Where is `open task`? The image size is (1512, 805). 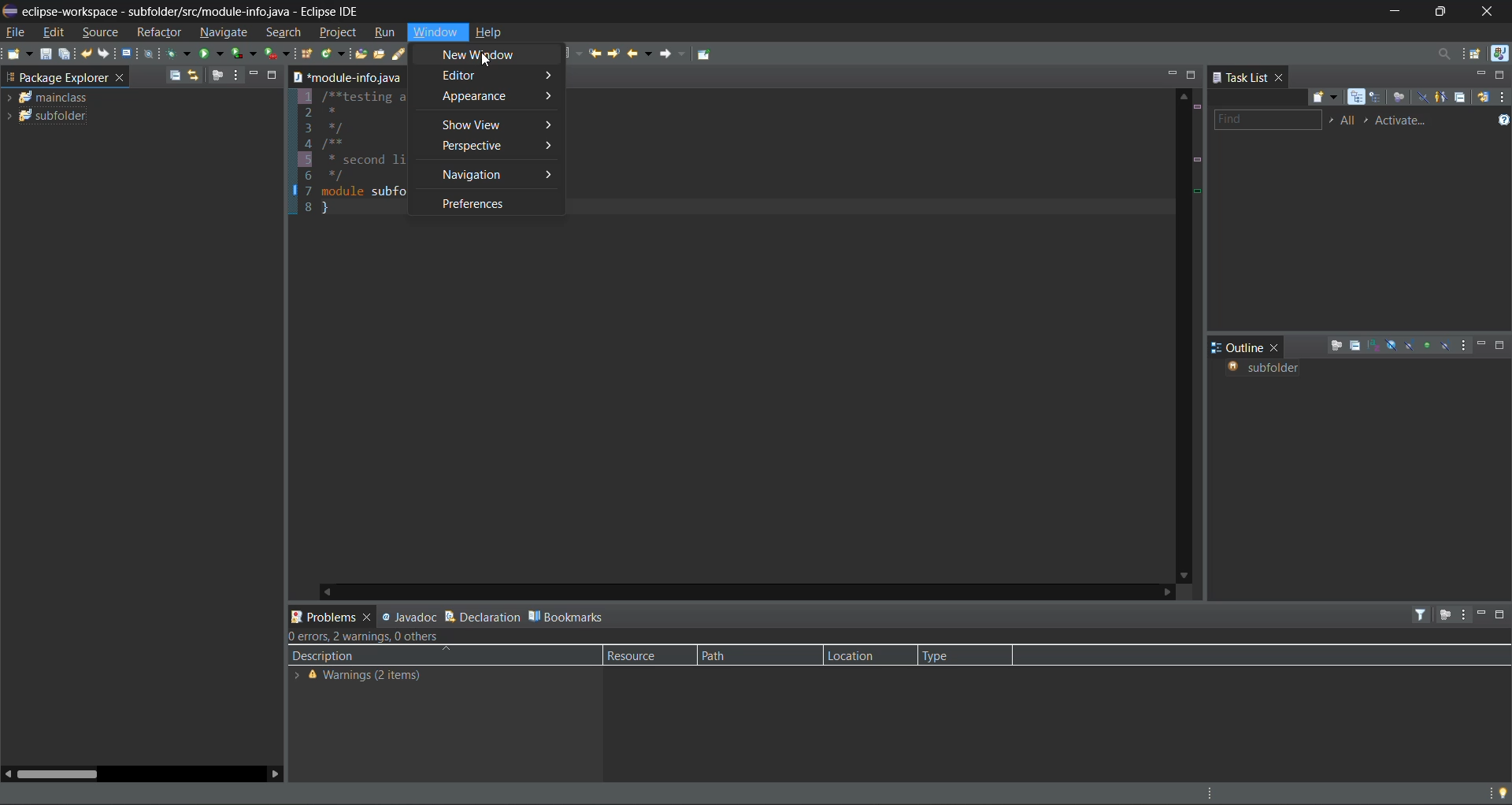 open task is located at coordinates (380, 55).